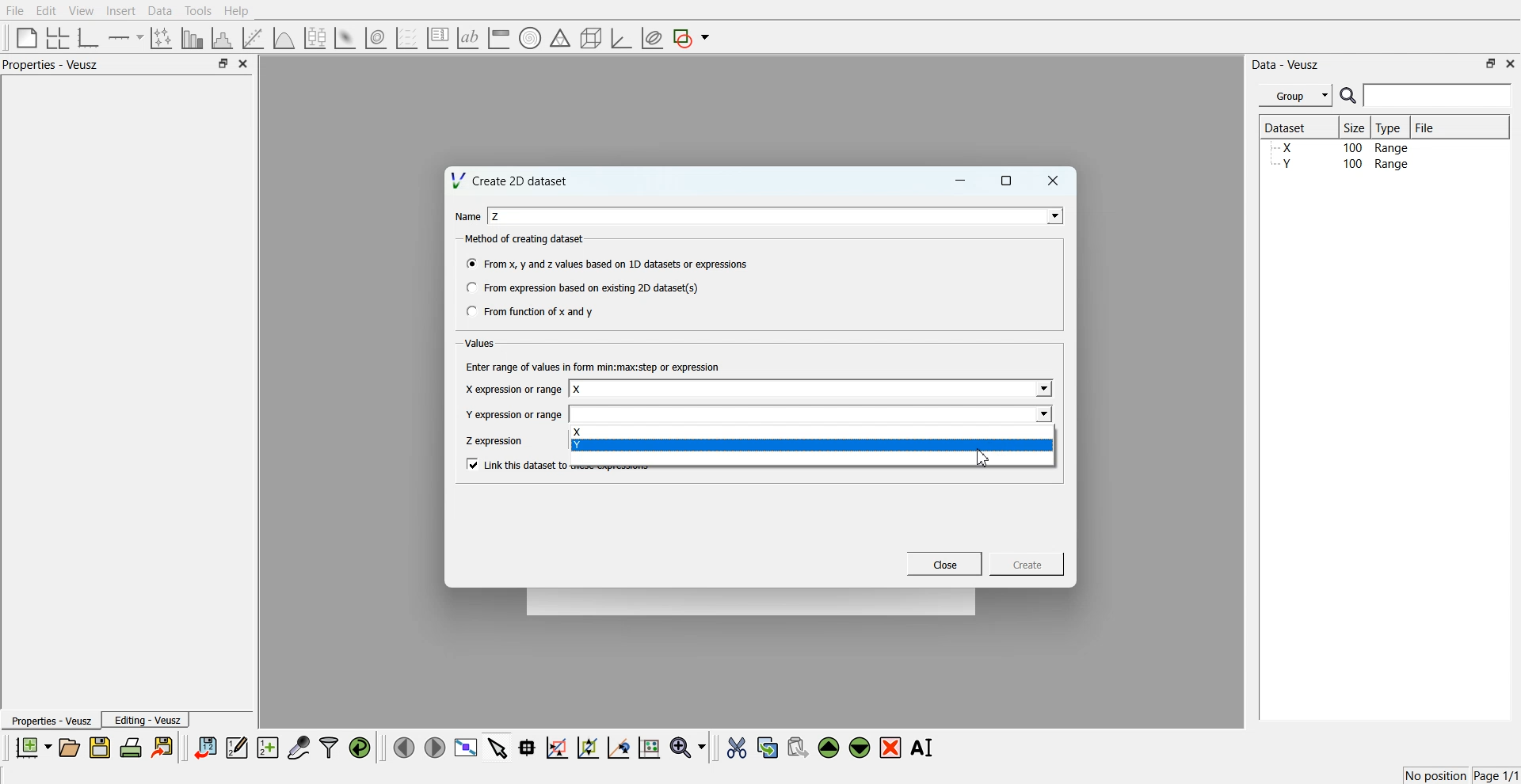 The image size is (1521, 784). What do you see at coordinates (778, 215) in the screenshot?
I see `Enter name` at bounding box center [778, 215].